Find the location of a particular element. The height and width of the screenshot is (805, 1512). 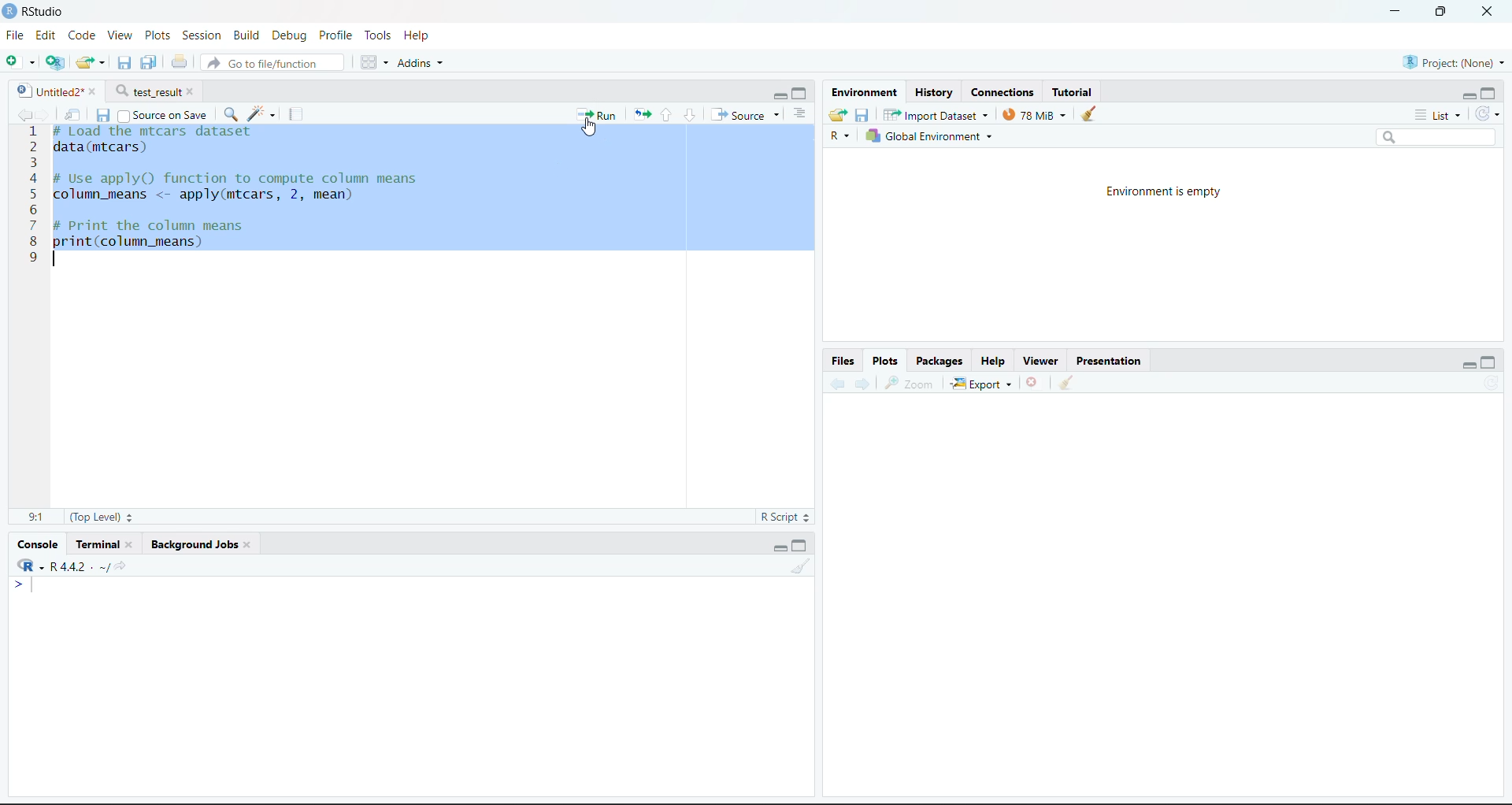

130kib used by R session (Source: Windows System) is located at coordinates (1038, 115).